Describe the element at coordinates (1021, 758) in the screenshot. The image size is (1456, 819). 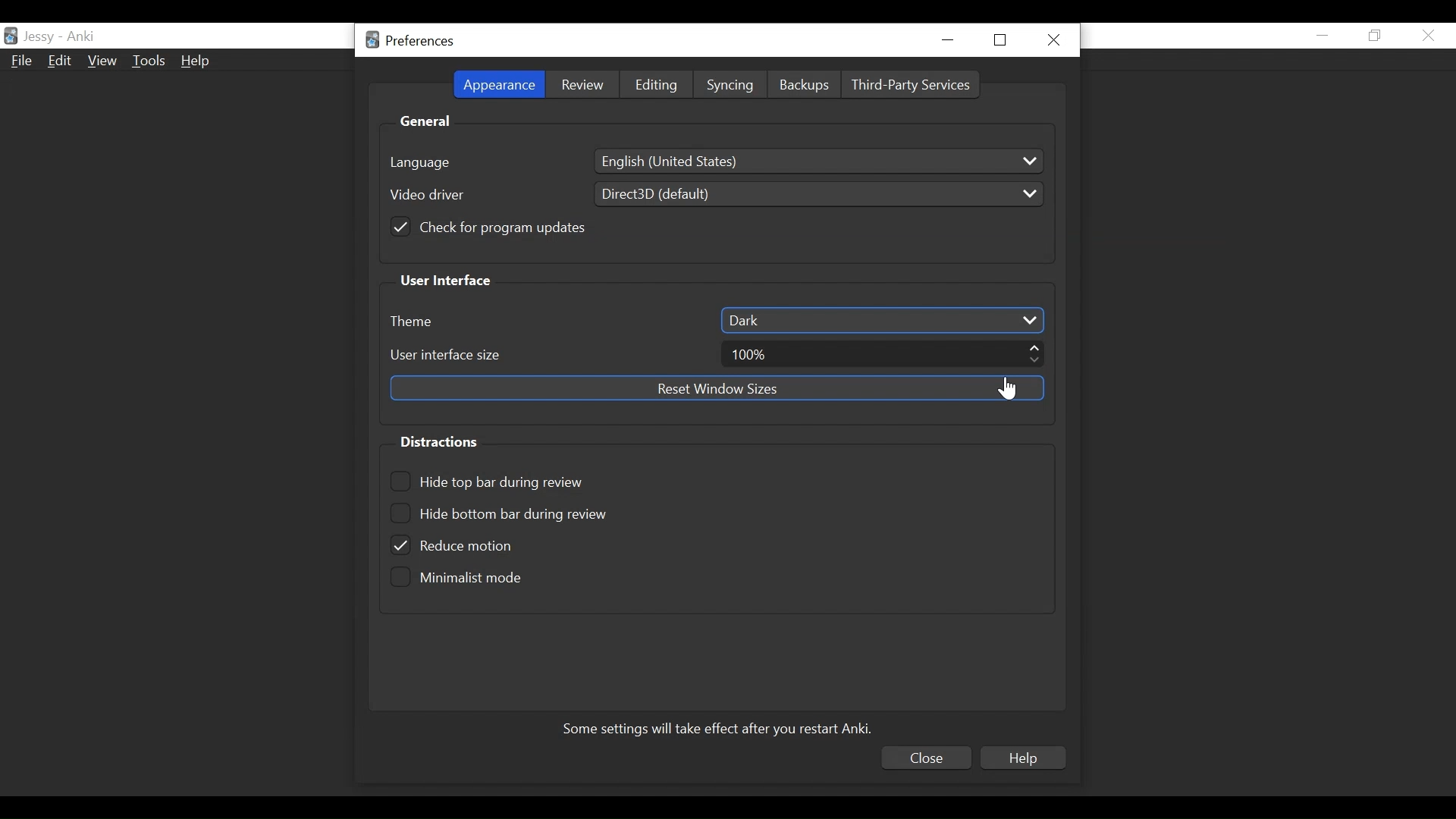
I see `Help` at that location.